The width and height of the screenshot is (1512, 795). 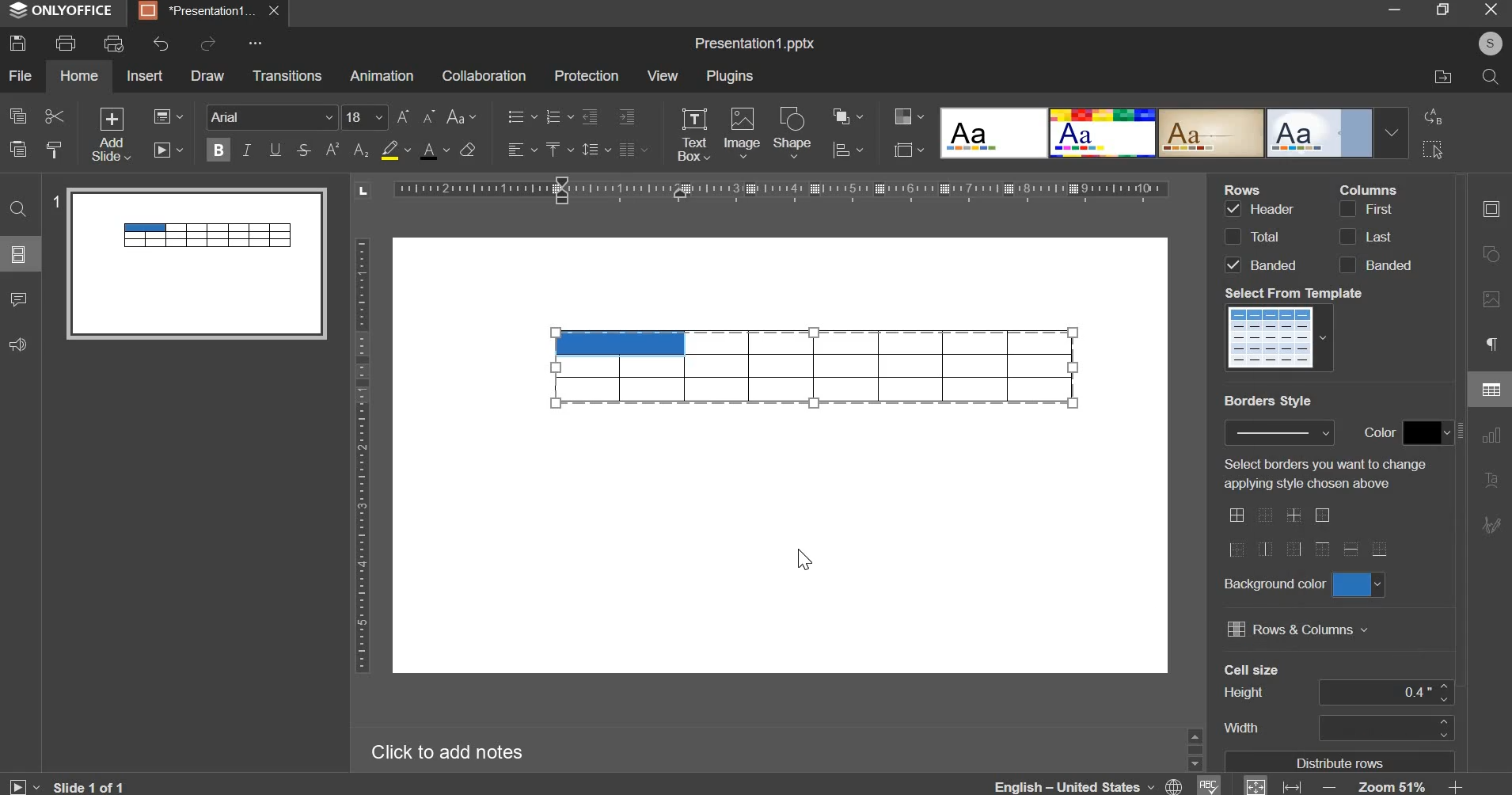 What do you see at coordinates (742, 131) in the screenshot?
I see `image` at bounding box center [742, 131].